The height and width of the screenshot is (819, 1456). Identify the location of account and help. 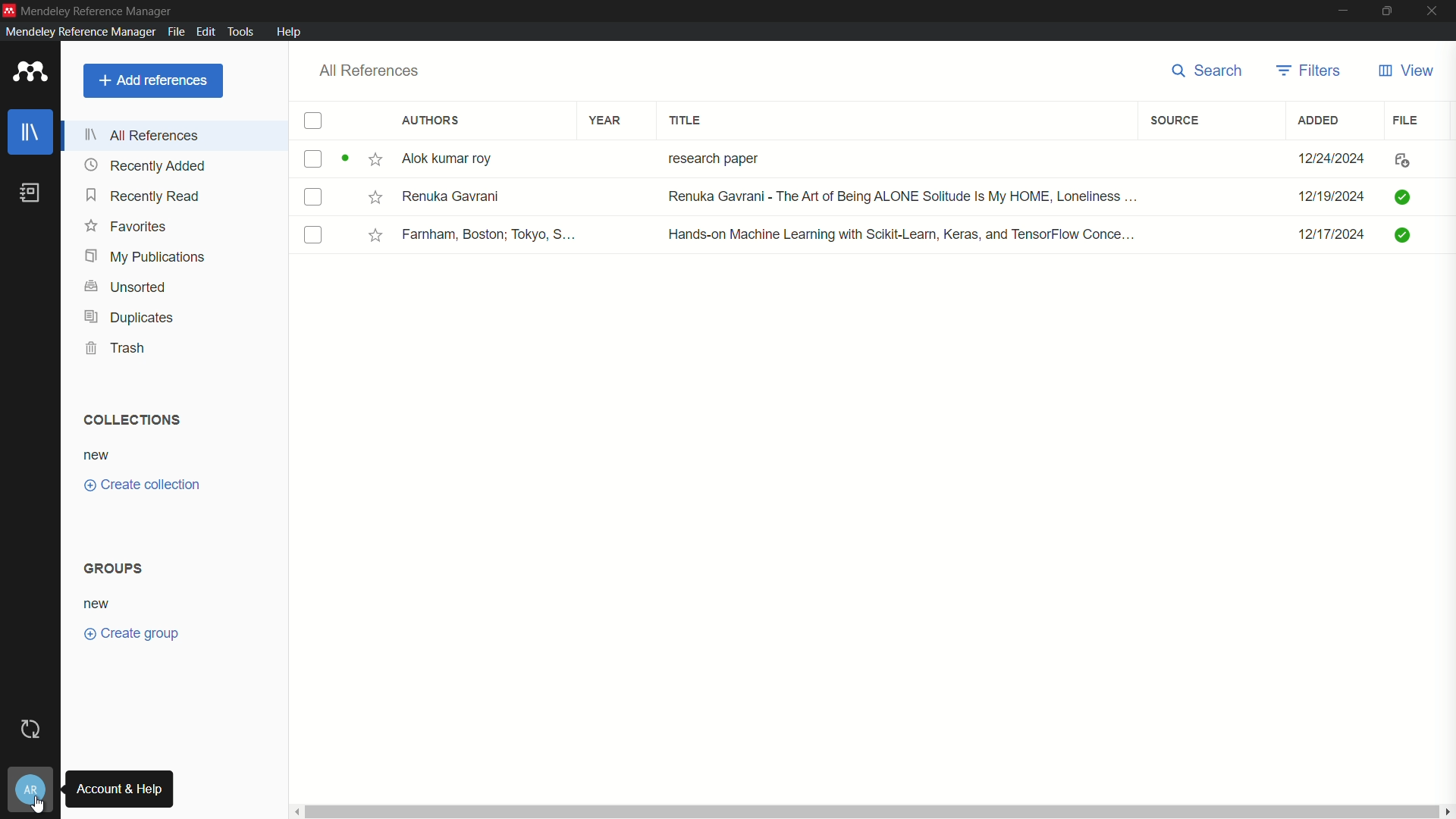
(30, 792).